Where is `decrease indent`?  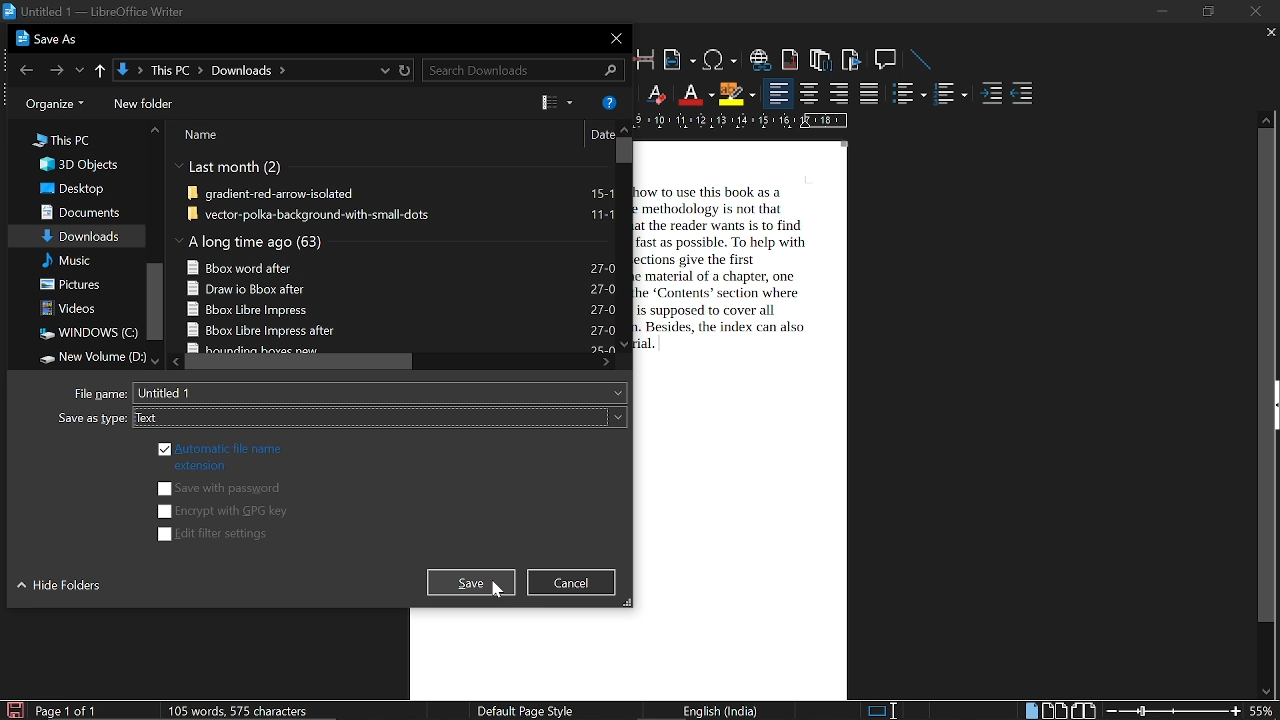
decrease indent is located at coordinates (1022, 94).